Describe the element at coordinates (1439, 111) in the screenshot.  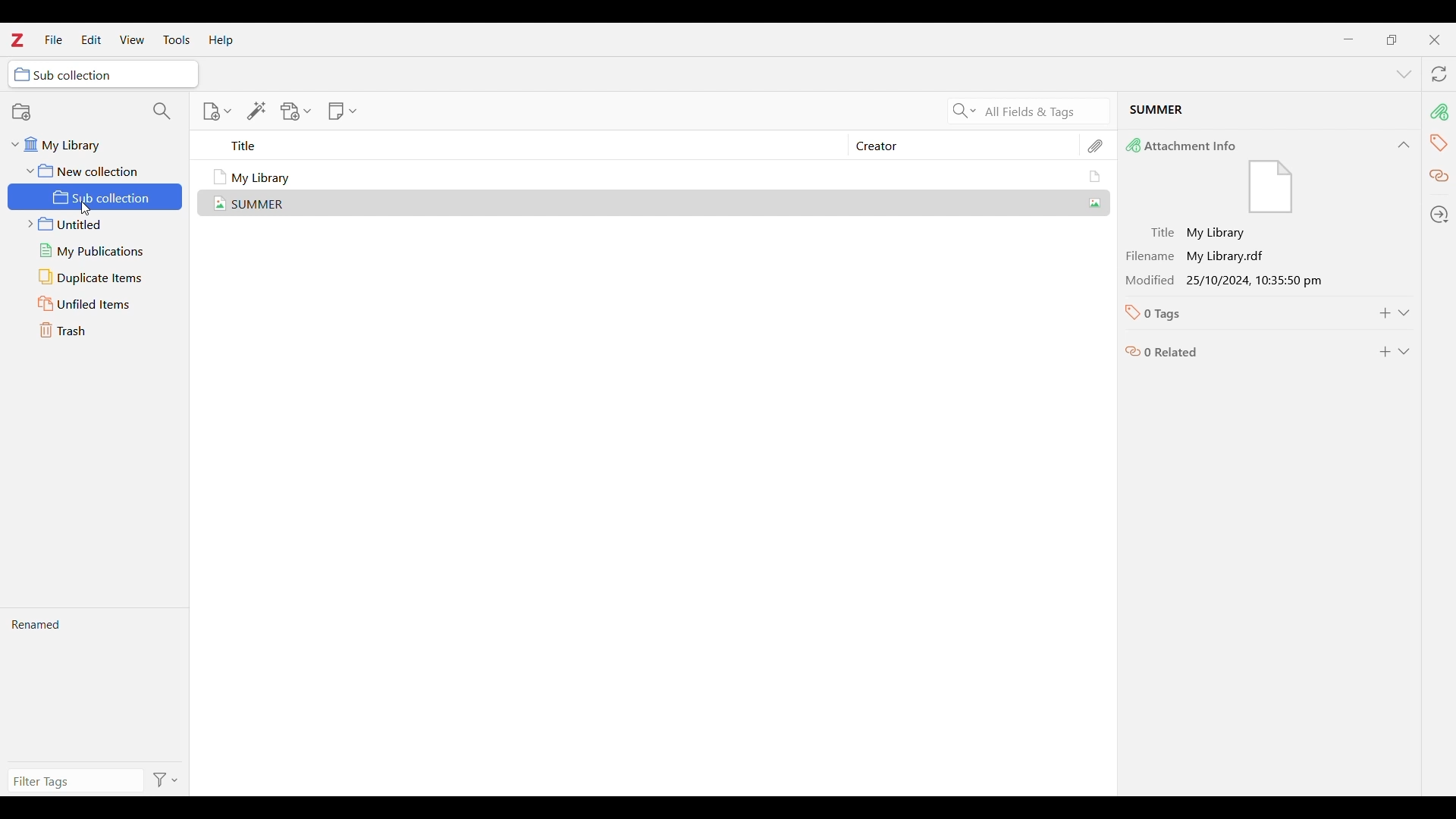
I see `Attachment info` at that location.